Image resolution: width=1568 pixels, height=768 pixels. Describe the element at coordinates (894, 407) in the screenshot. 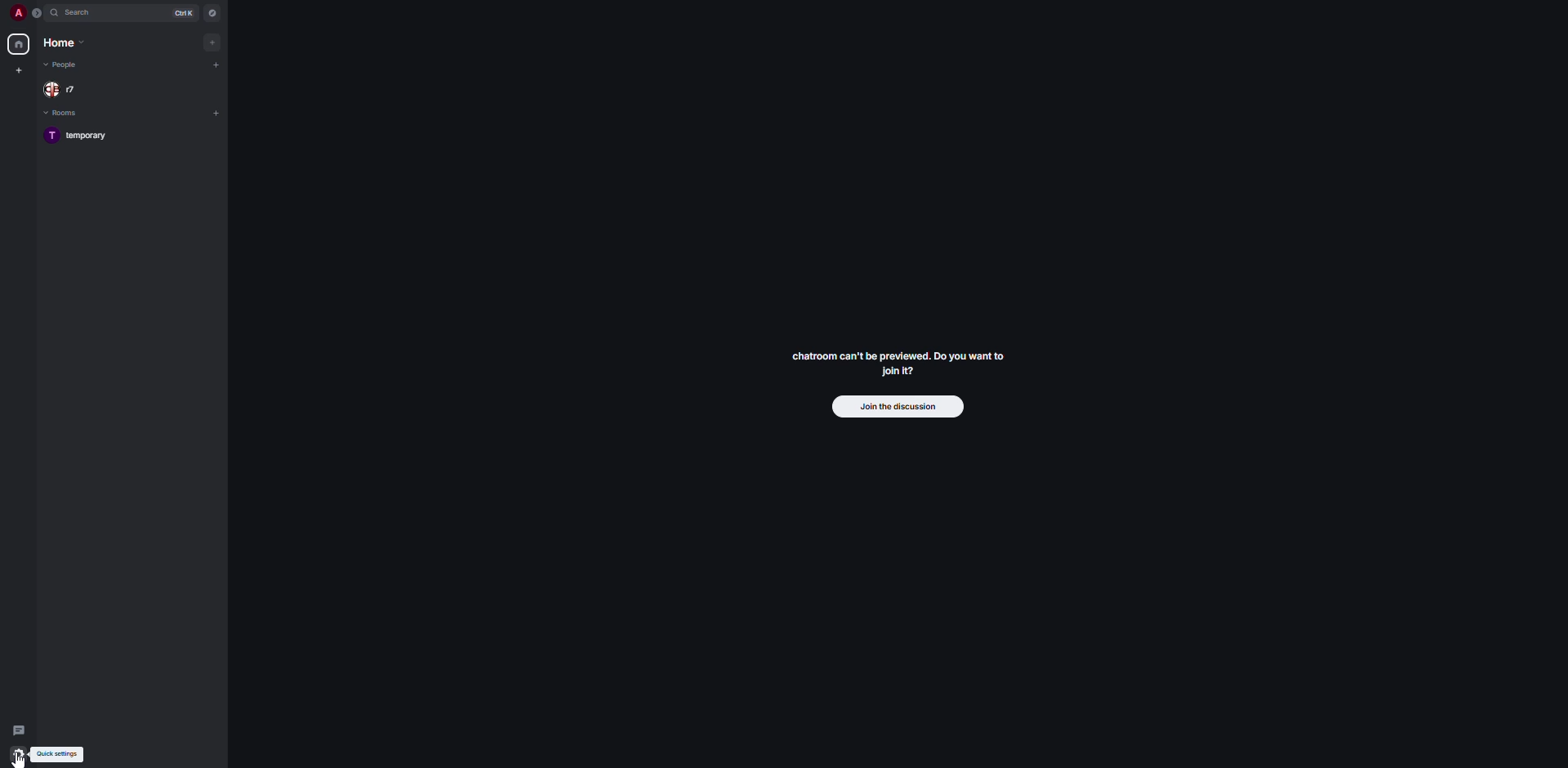

I see `join discussion` at that location.